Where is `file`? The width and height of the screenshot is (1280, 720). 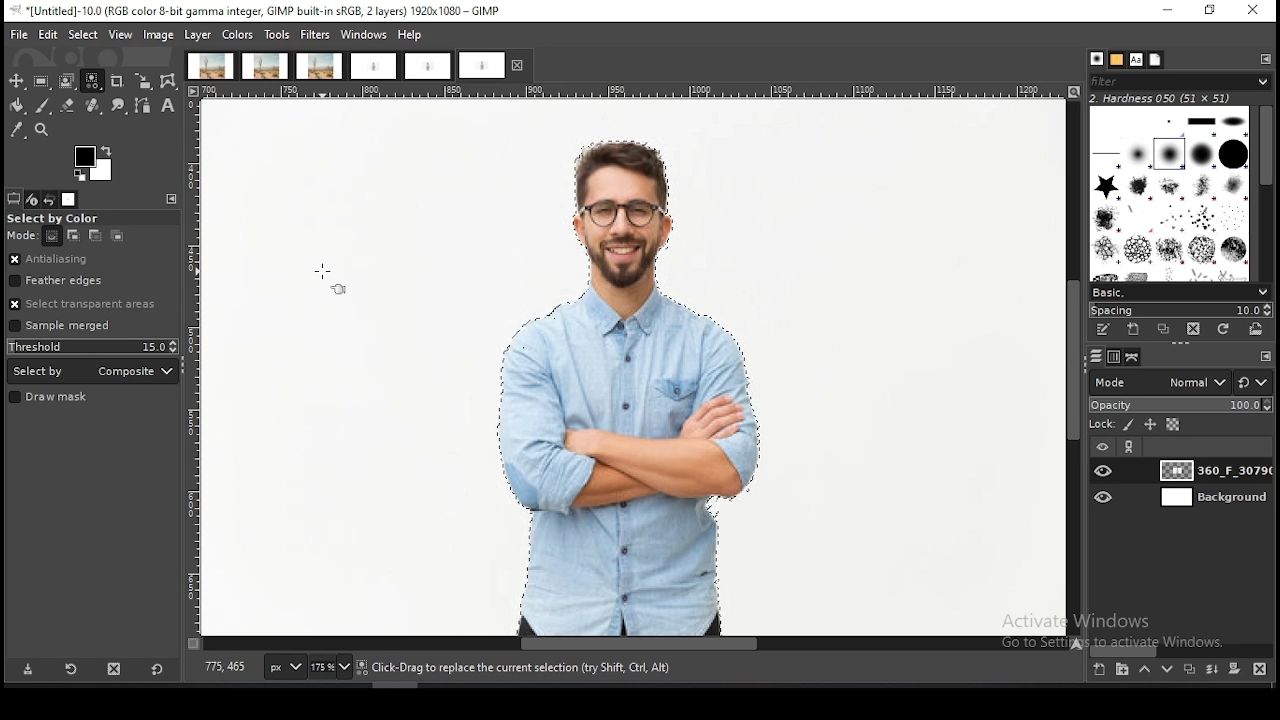
file is located at coordinates (20, 35).